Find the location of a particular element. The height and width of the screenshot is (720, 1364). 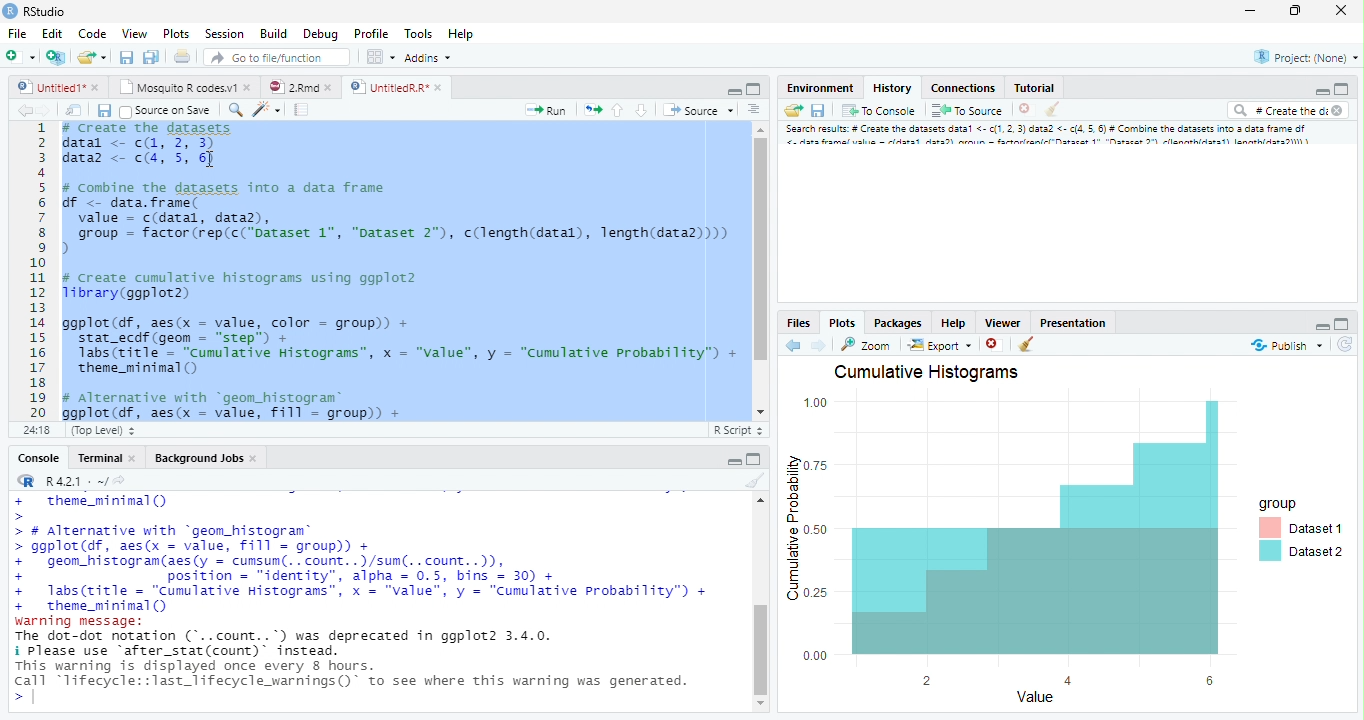

Background Jobs is located at coordinates (207, 458).